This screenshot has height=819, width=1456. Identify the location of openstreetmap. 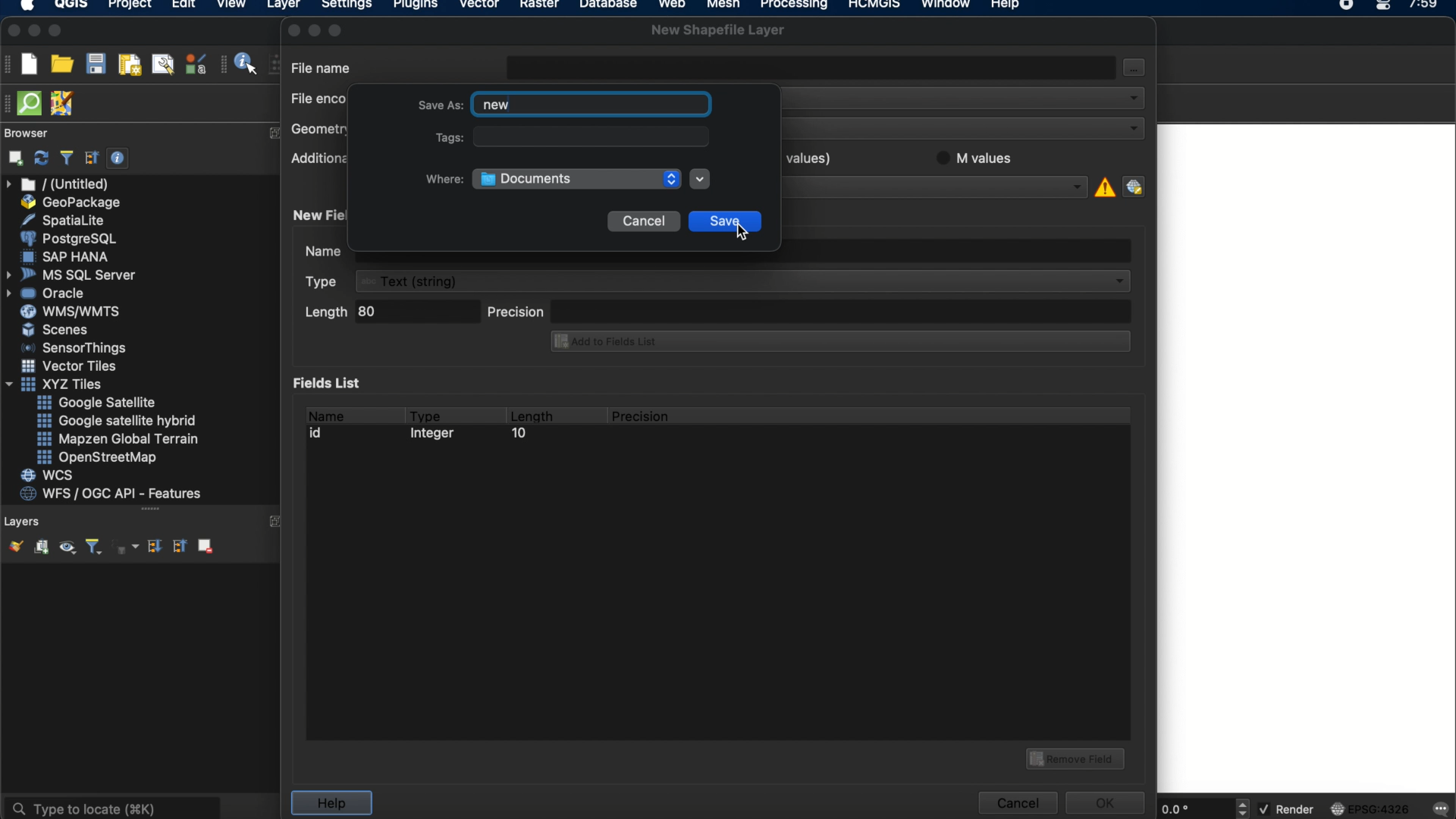
(97, 458).